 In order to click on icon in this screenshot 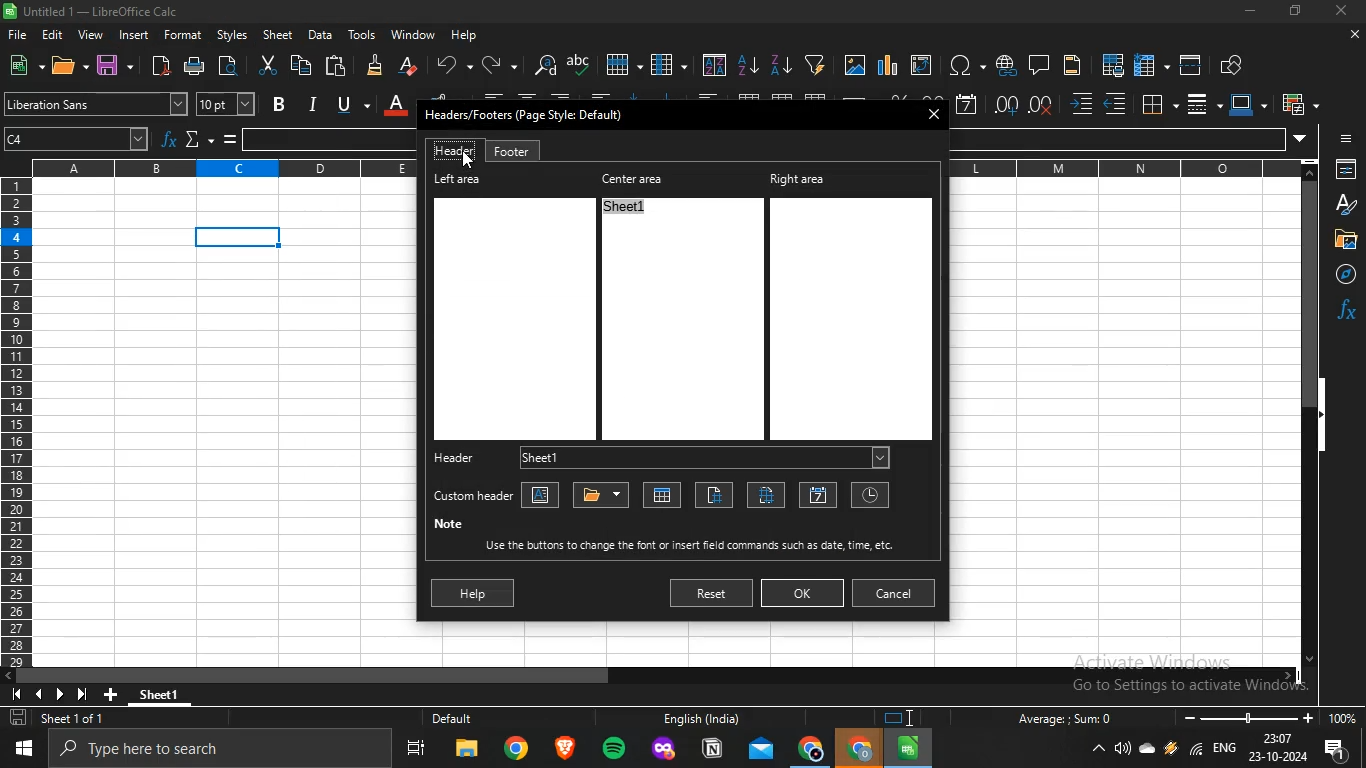, I will do `click(1346, 135)`.